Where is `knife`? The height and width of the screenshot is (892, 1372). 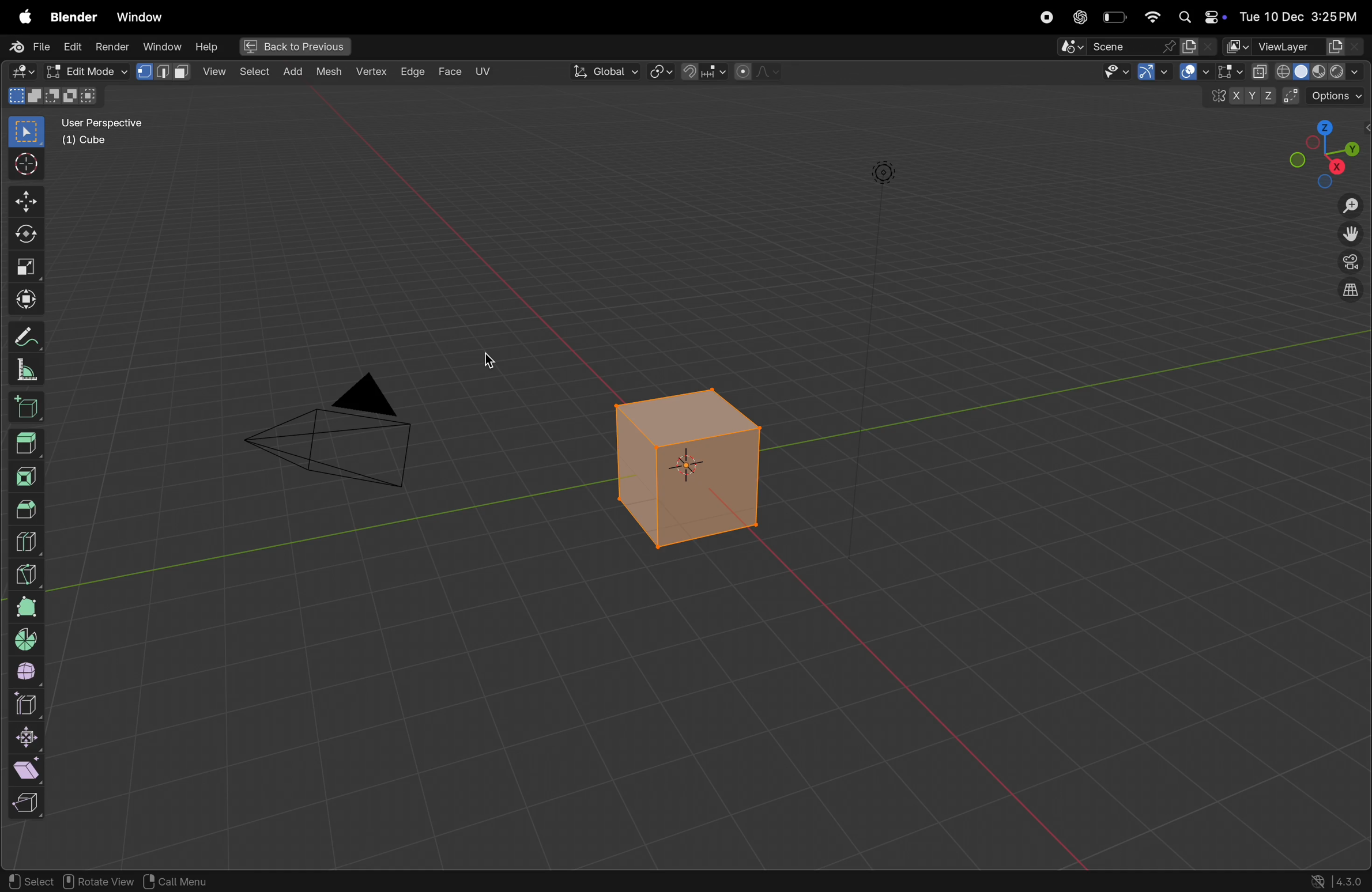
knife is located at coordinates (27, 572).